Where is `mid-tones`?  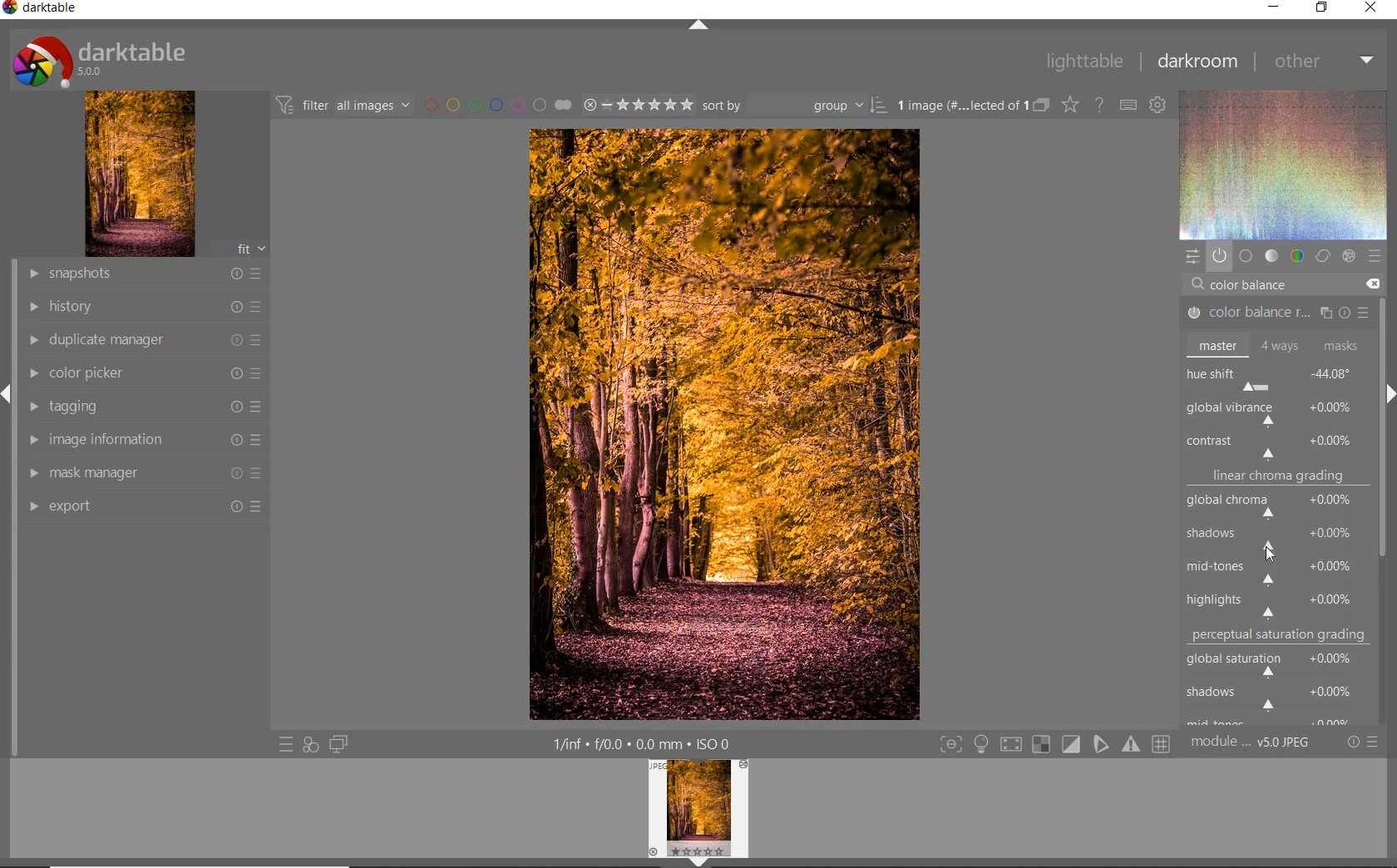 mid-tones is located at coordinates (1274, 570).